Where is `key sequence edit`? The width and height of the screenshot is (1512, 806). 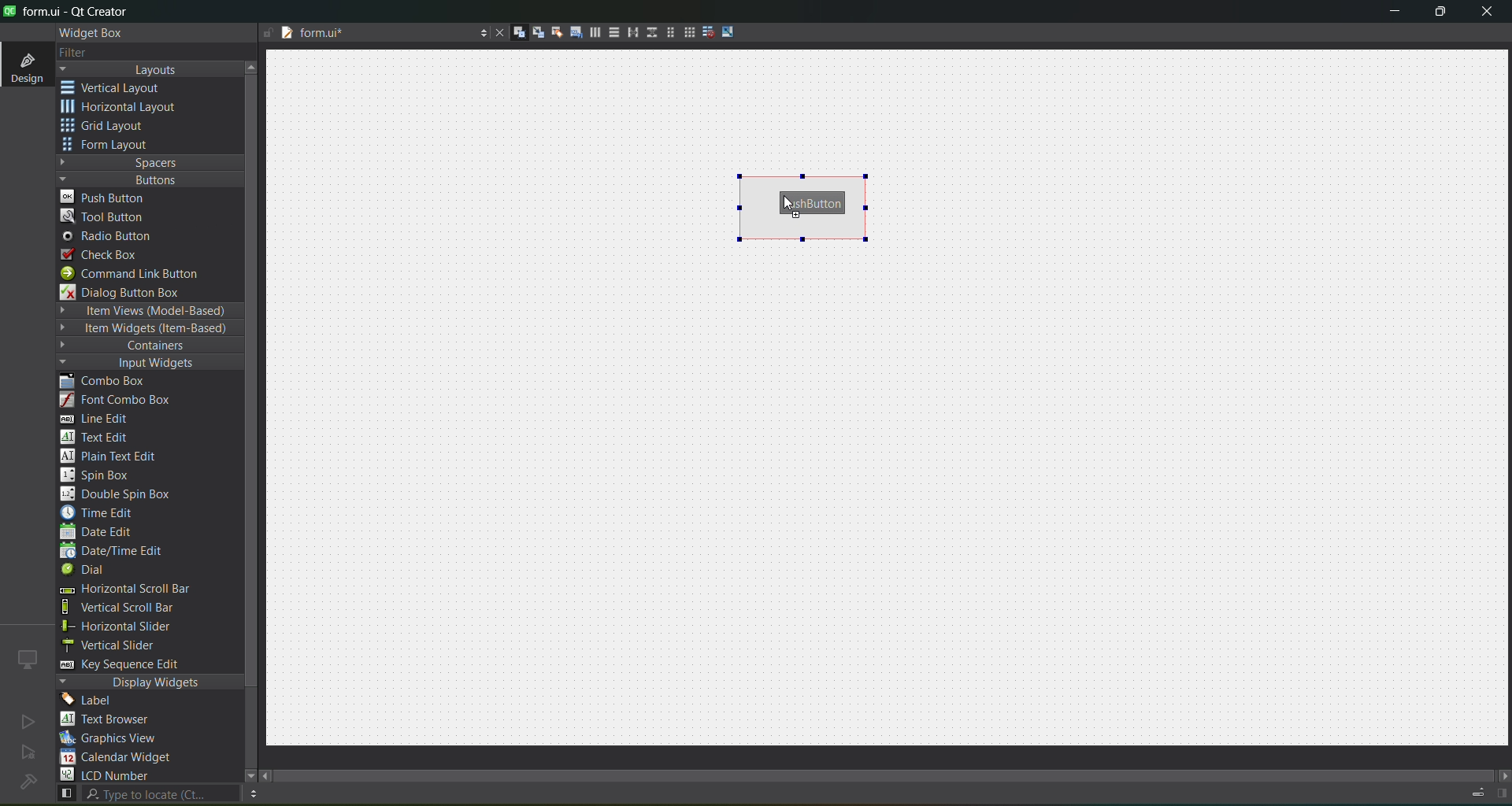
key sequence edit is located at coordinates (131, 665).